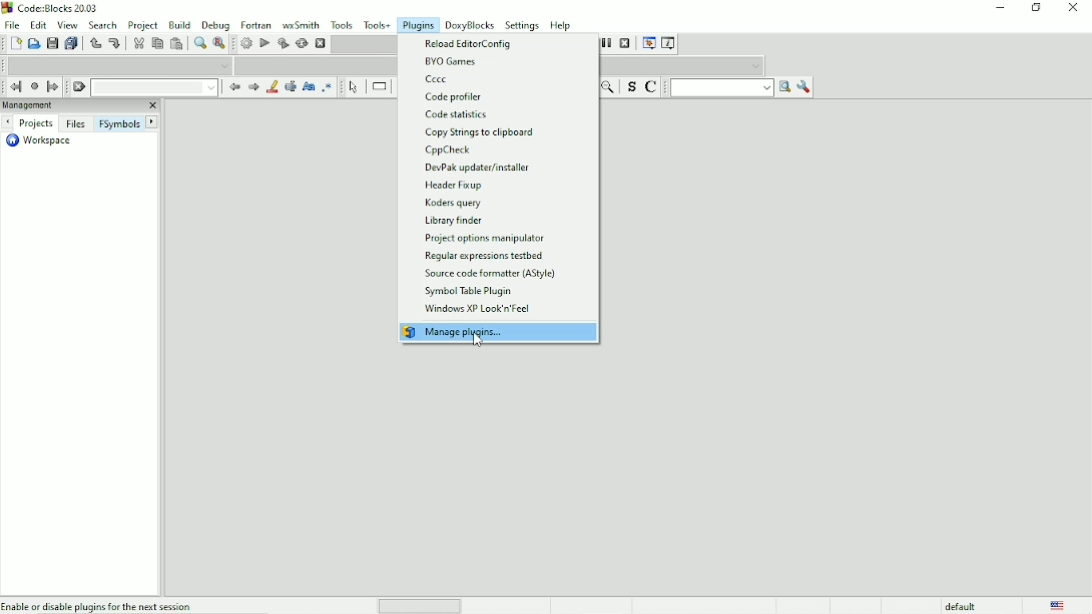 The image size is (1092, 614). What do you see at coordinates (454, 203) in the screenshot?
I see `Koders query` at bounding box center [454, 203].